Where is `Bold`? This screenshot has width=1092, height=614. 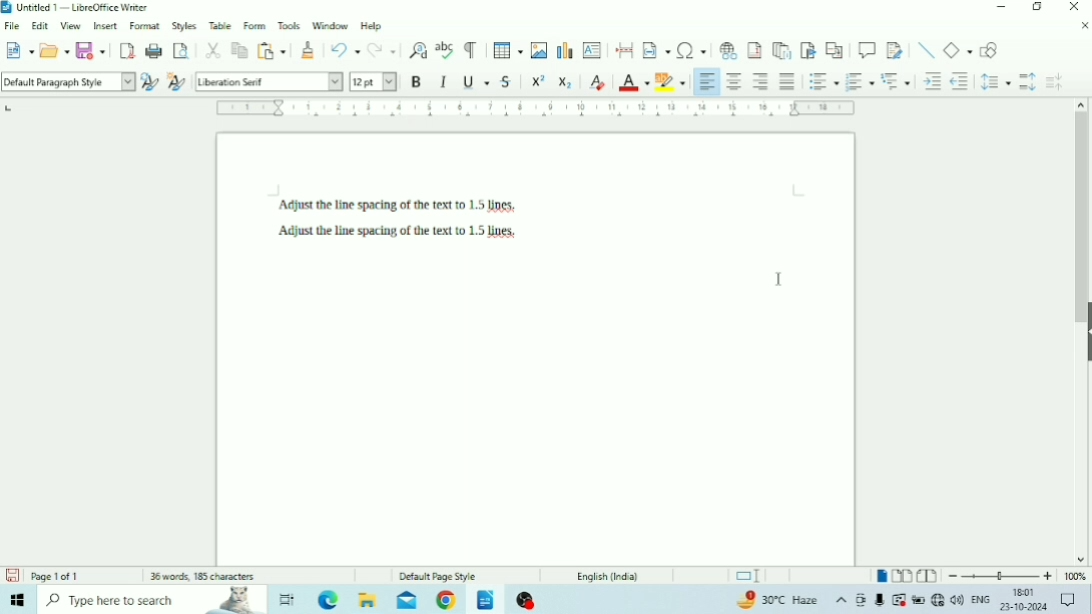 Bold is located at coordinates (417, 82).